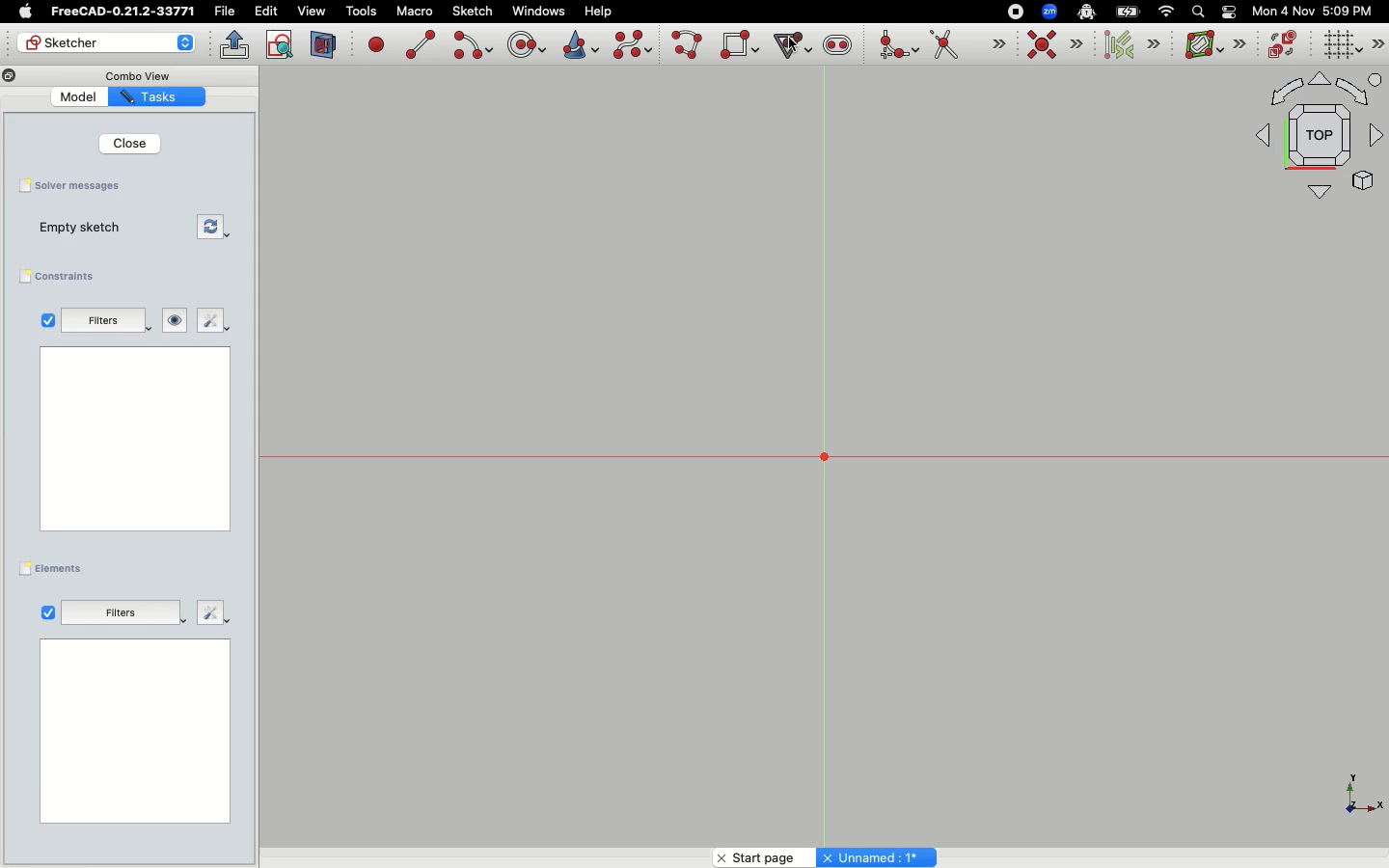  What do you see at coordinates (215, 322) in the screenshot?
I see `Settings` at bounding box center [215, 322].